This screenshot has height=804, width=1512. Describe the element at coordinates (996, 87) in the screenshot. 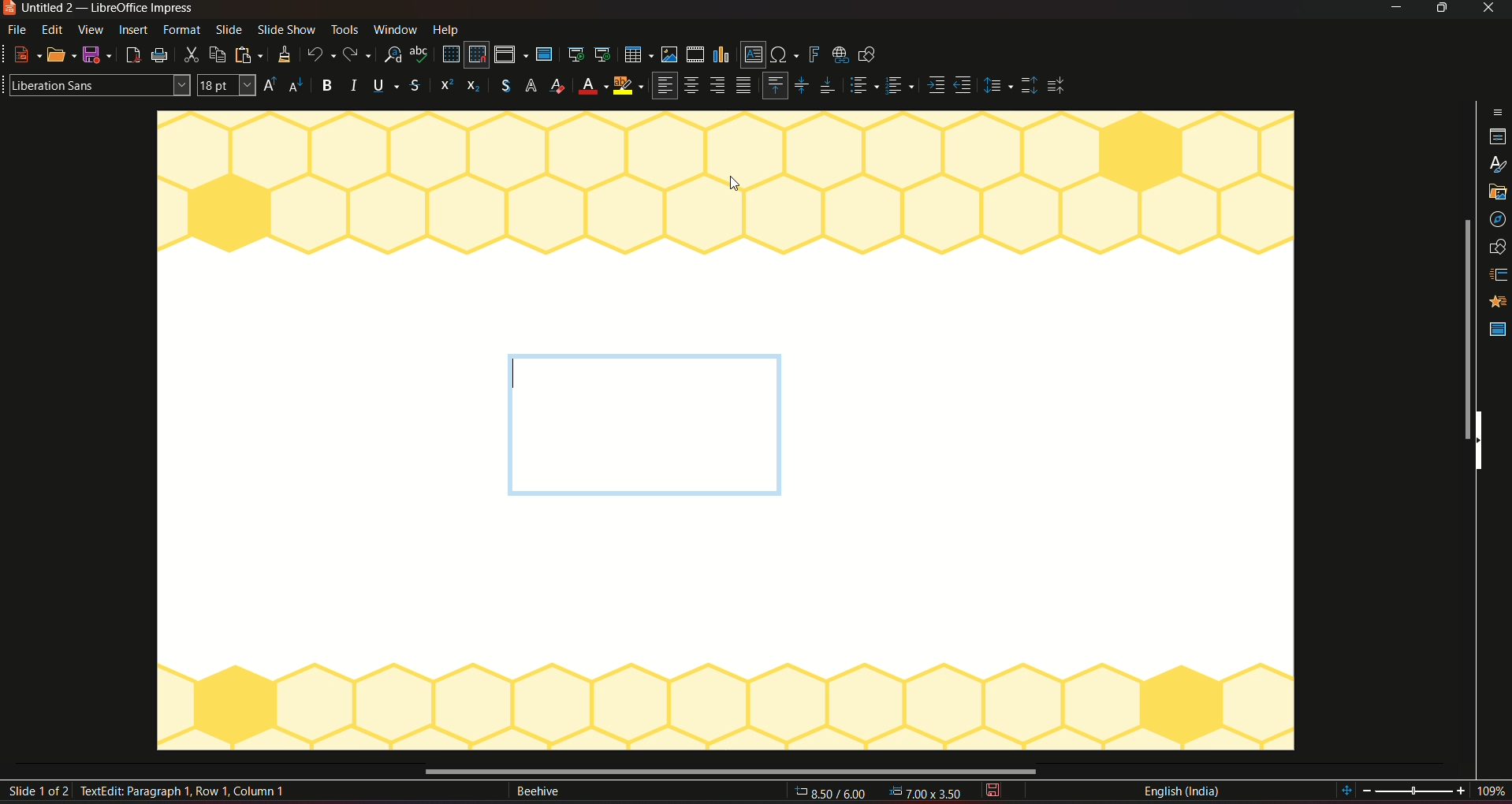

I see `Adjust paragraph` at that location.